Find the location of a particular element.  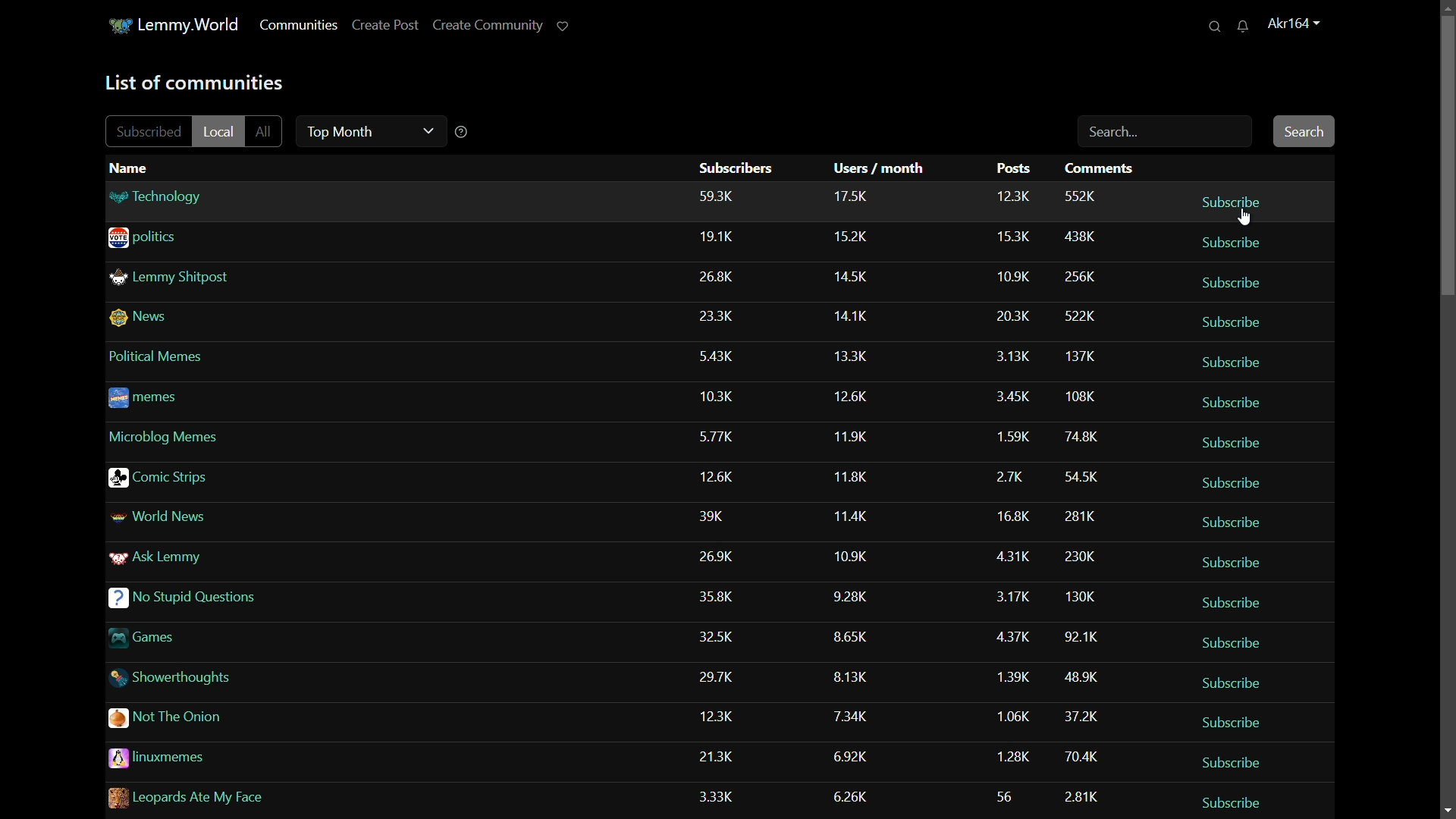

search is located at coordinates (1216, 27).